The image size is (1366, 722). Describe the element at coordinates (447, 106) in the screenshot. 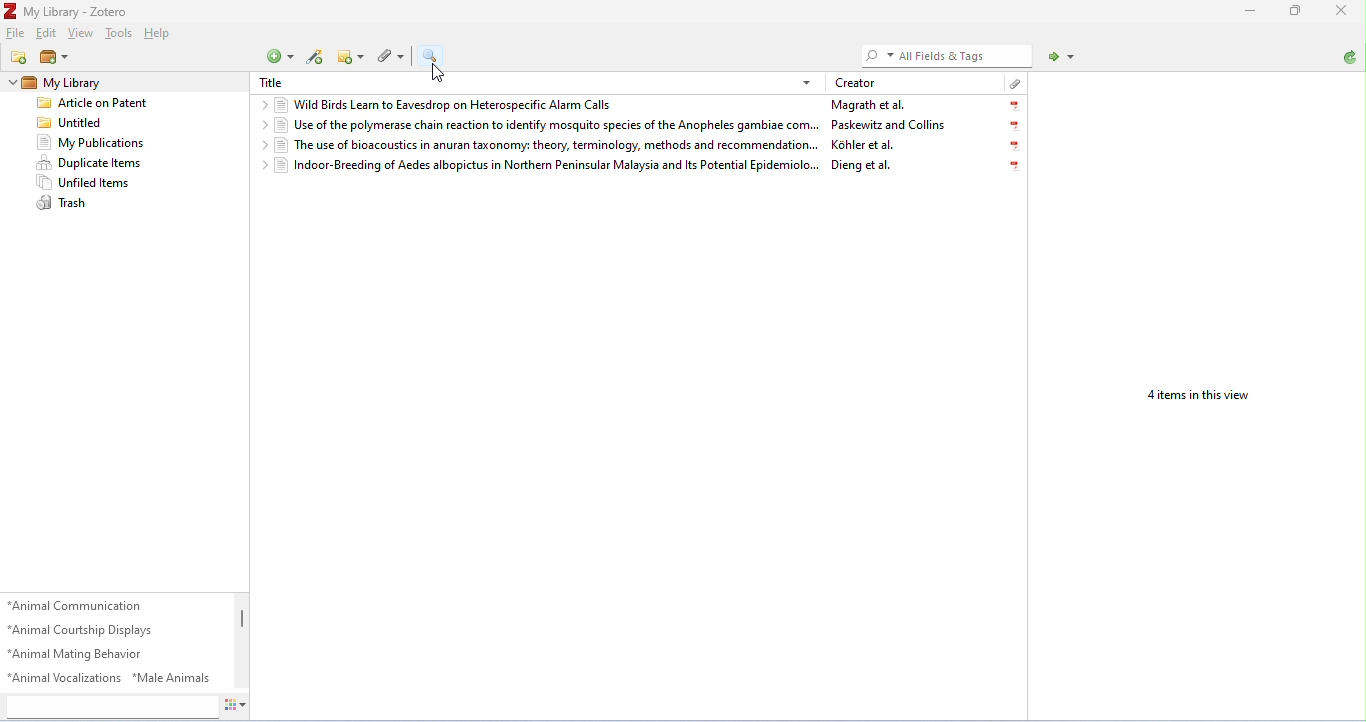

I see `wild birds learn to eavesdrop on heterospecific alarm calls` at that location.